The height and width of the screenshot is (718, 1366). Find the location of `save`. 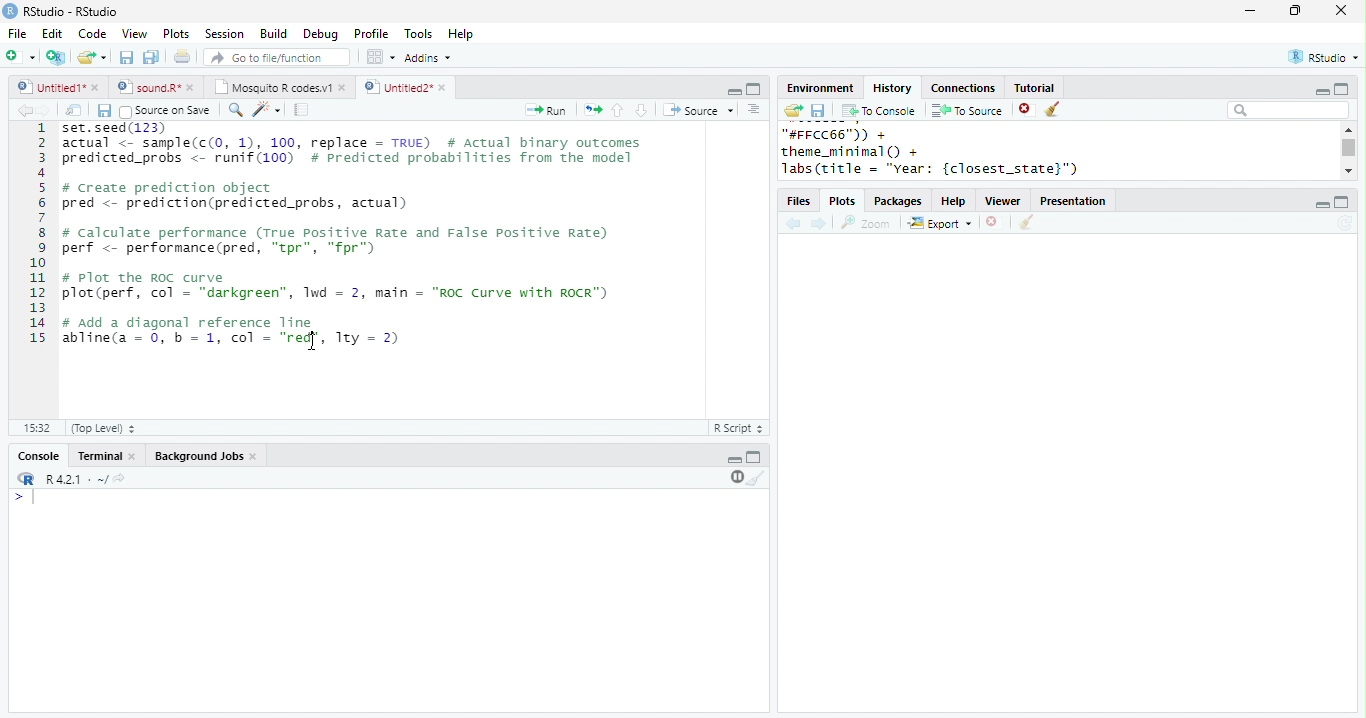

save is located at coordinates (104, 111).